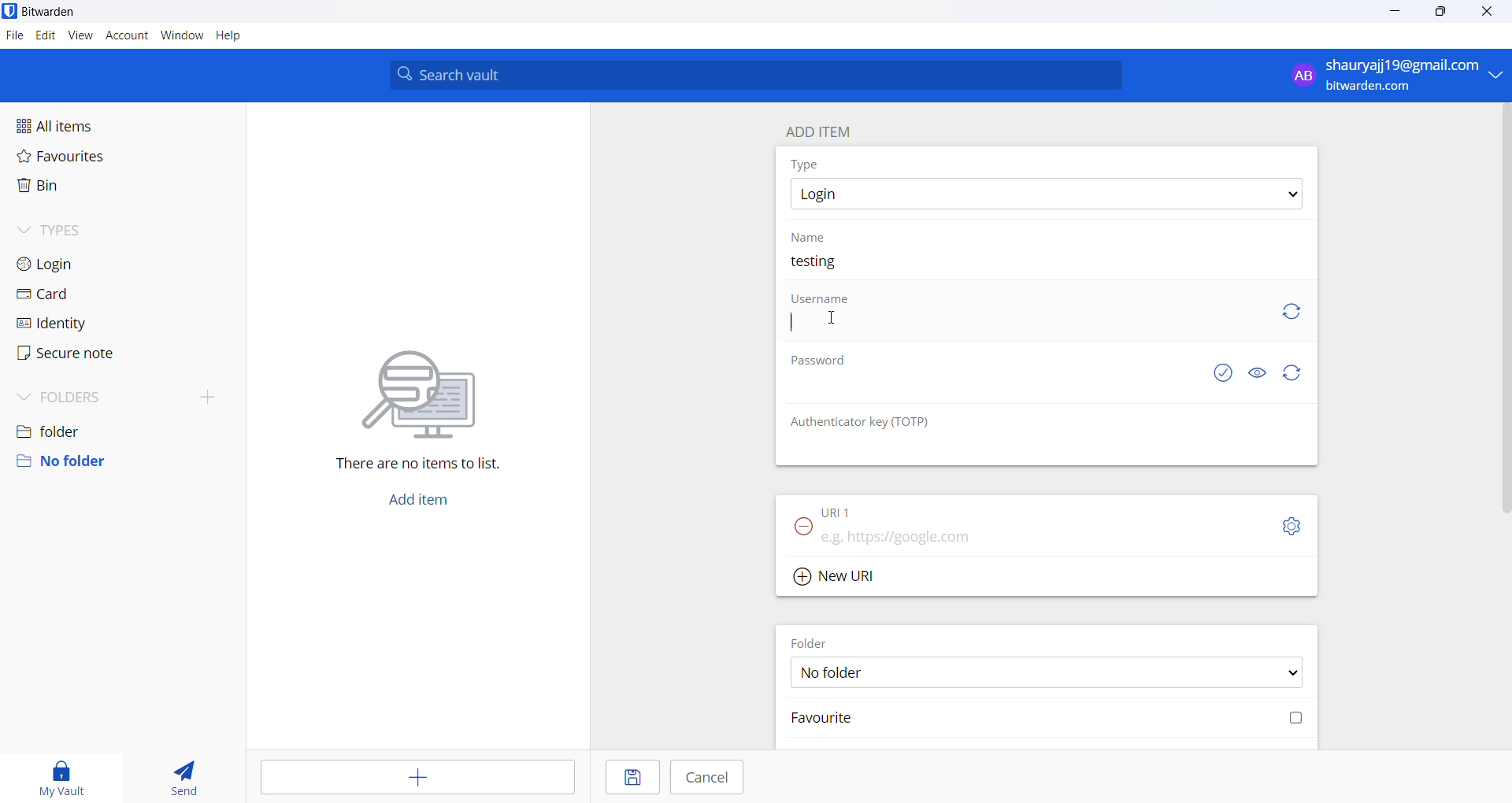 The image size is (1512, 803). Describe the element at coordinates (182, 35) in the screenshot. I see `window` at that location.